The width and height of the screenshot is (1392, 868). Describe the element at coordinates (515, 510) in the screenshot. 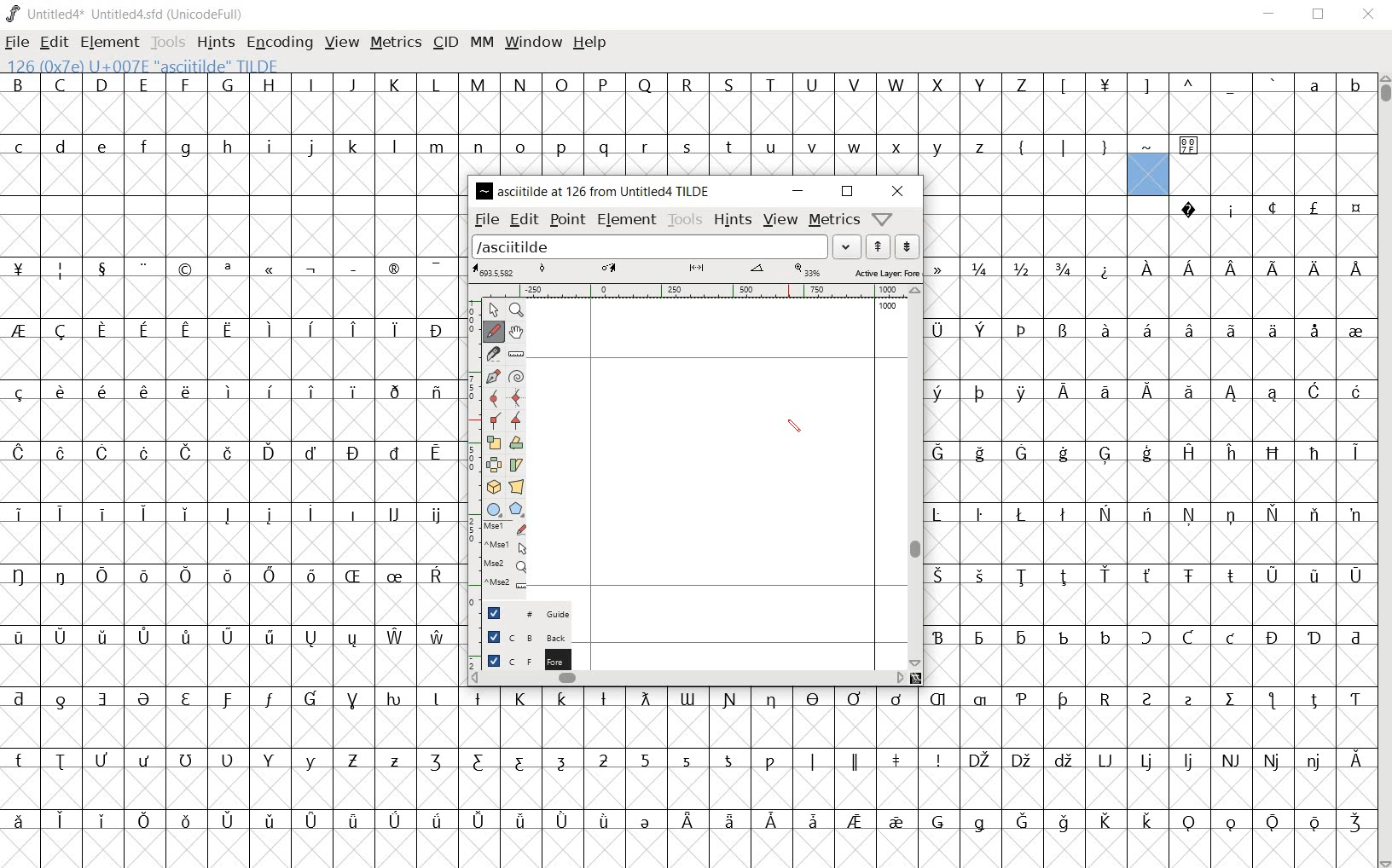

I see `polygon or star` at that location.